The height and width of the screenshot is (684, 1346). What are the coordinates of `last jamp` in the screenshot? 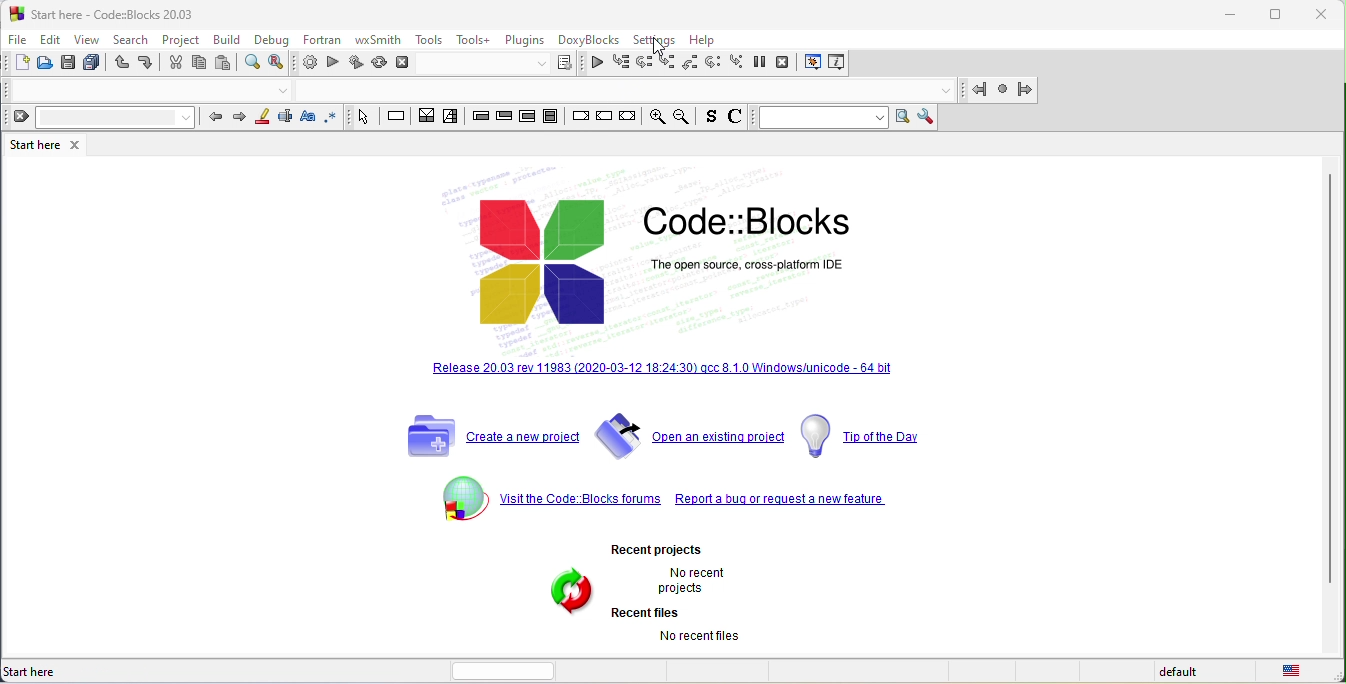 It's located at (1003, 90).